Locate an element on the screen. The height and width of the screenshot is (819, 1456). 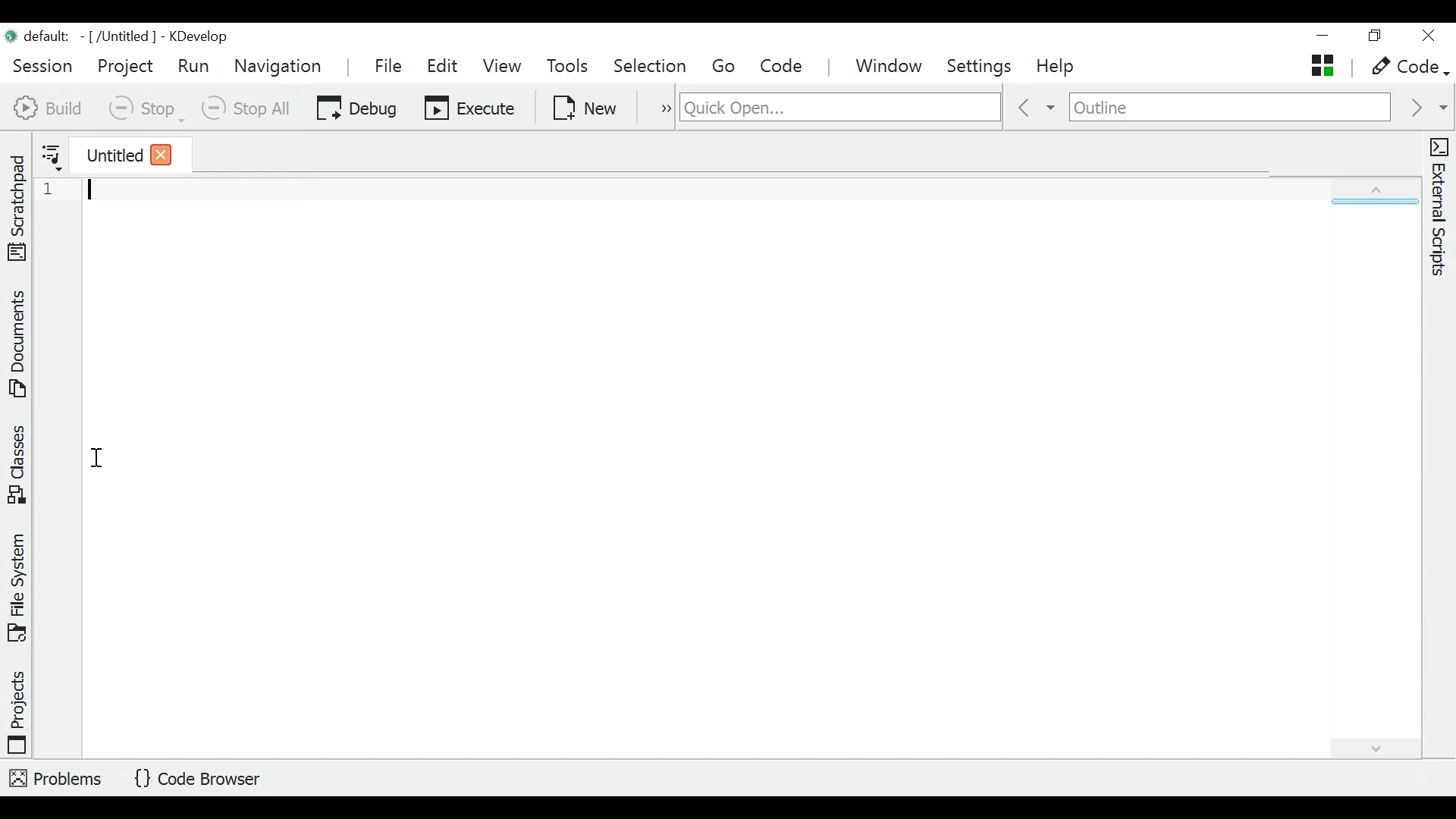
Debug is located at coordinates (357, 109).